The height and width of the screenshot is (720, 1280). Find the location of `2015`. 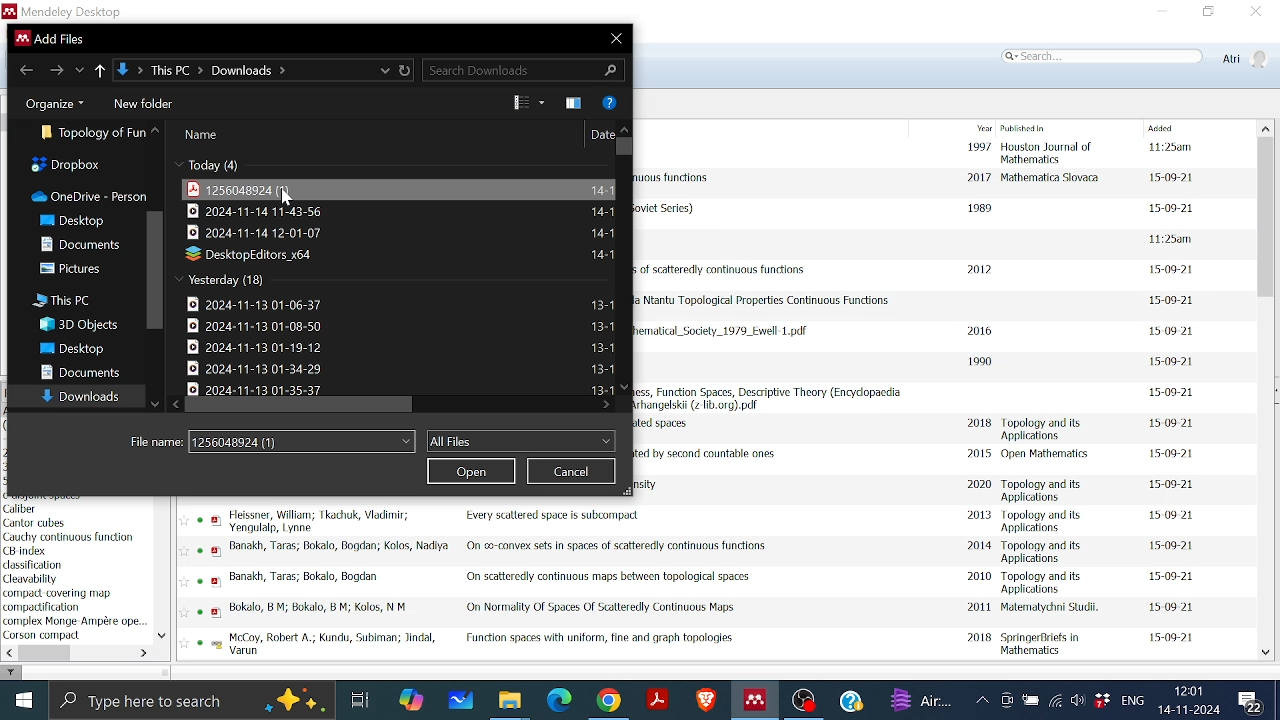

2015 is located at coordinates (976, 453).